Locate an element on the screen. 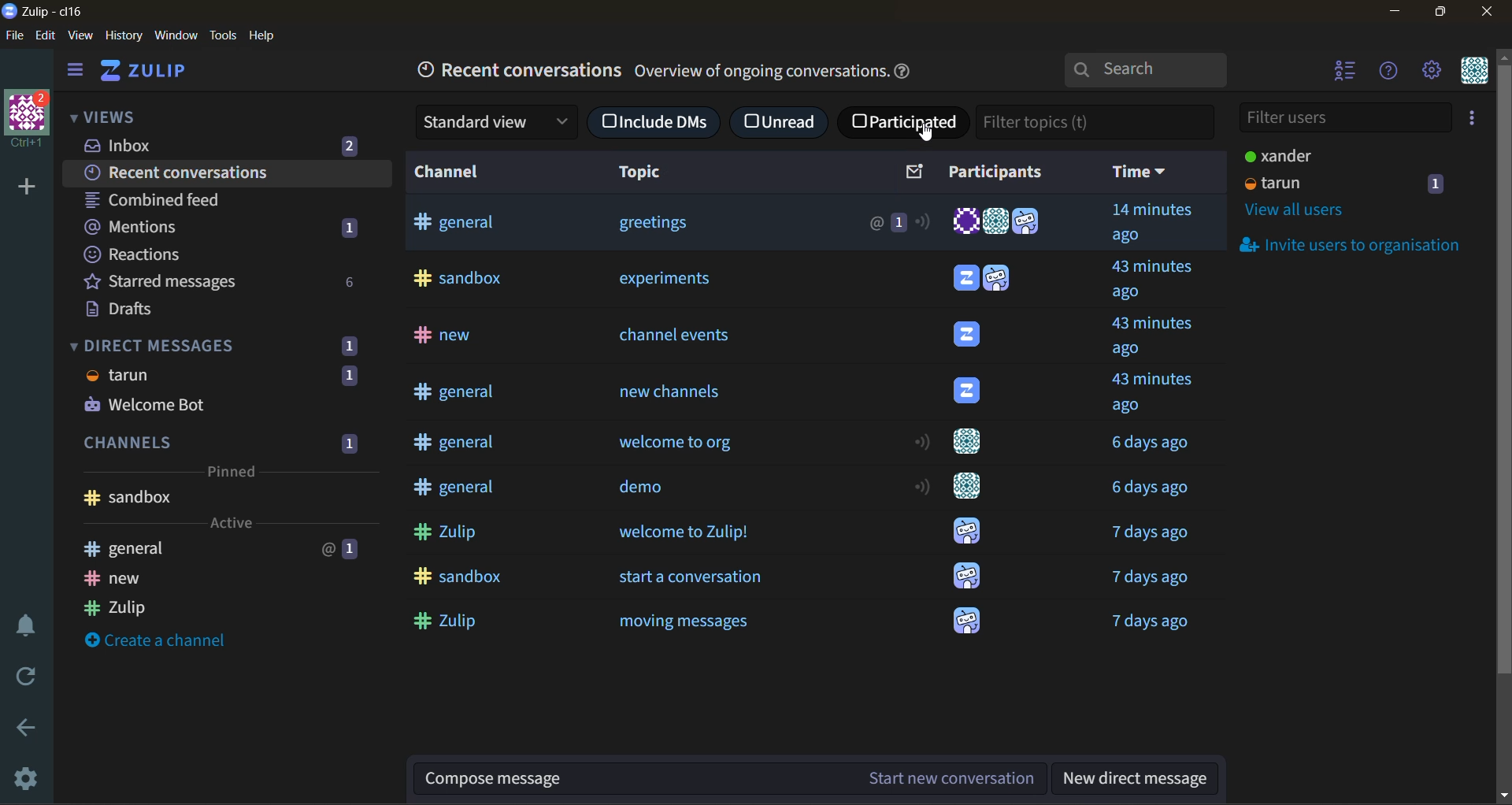 This screenshot has height=805, width=1512. create a channel is located at coordinates (158, 639).